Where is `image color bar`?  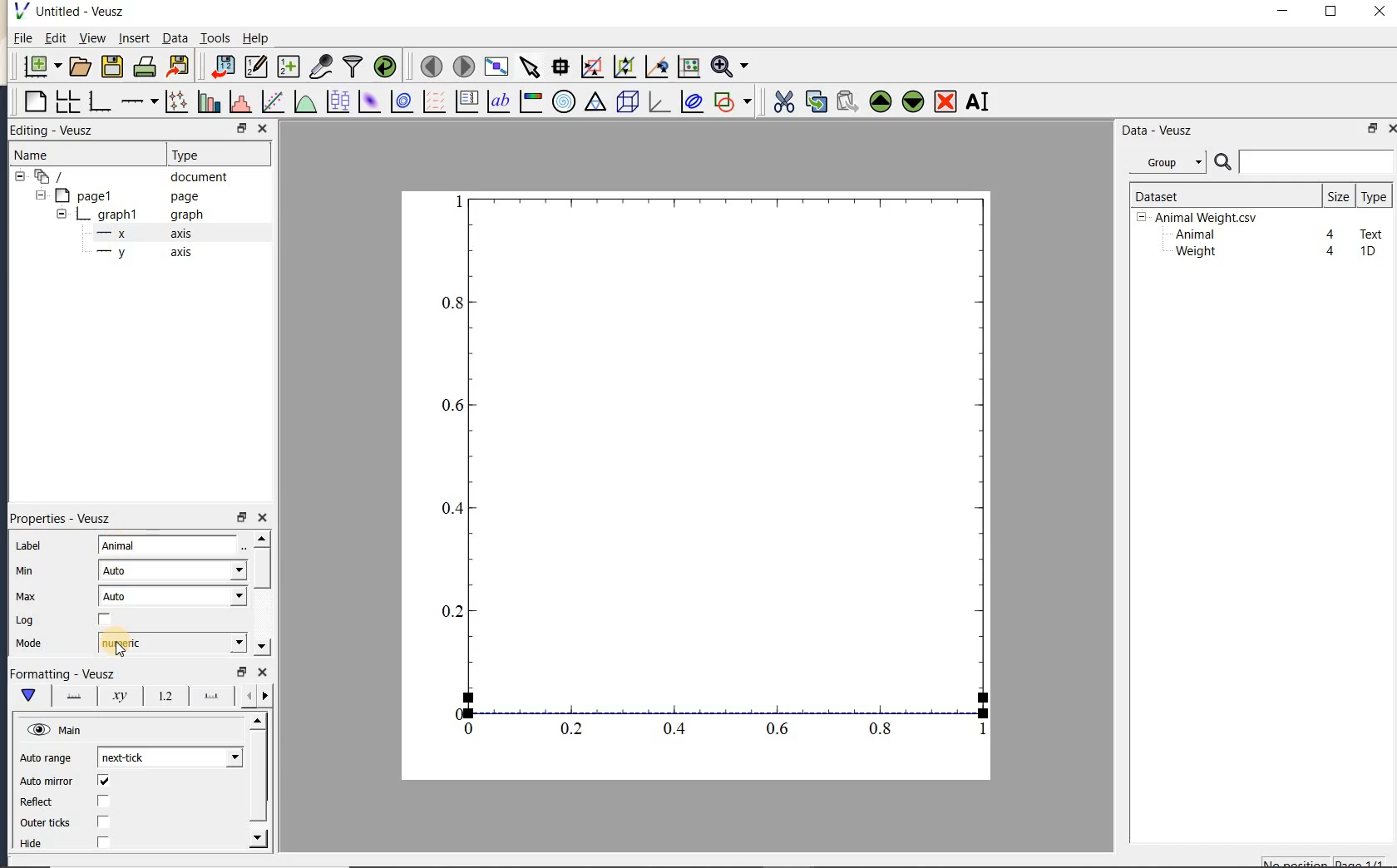
image color bar is located at coordinates (531, 101).